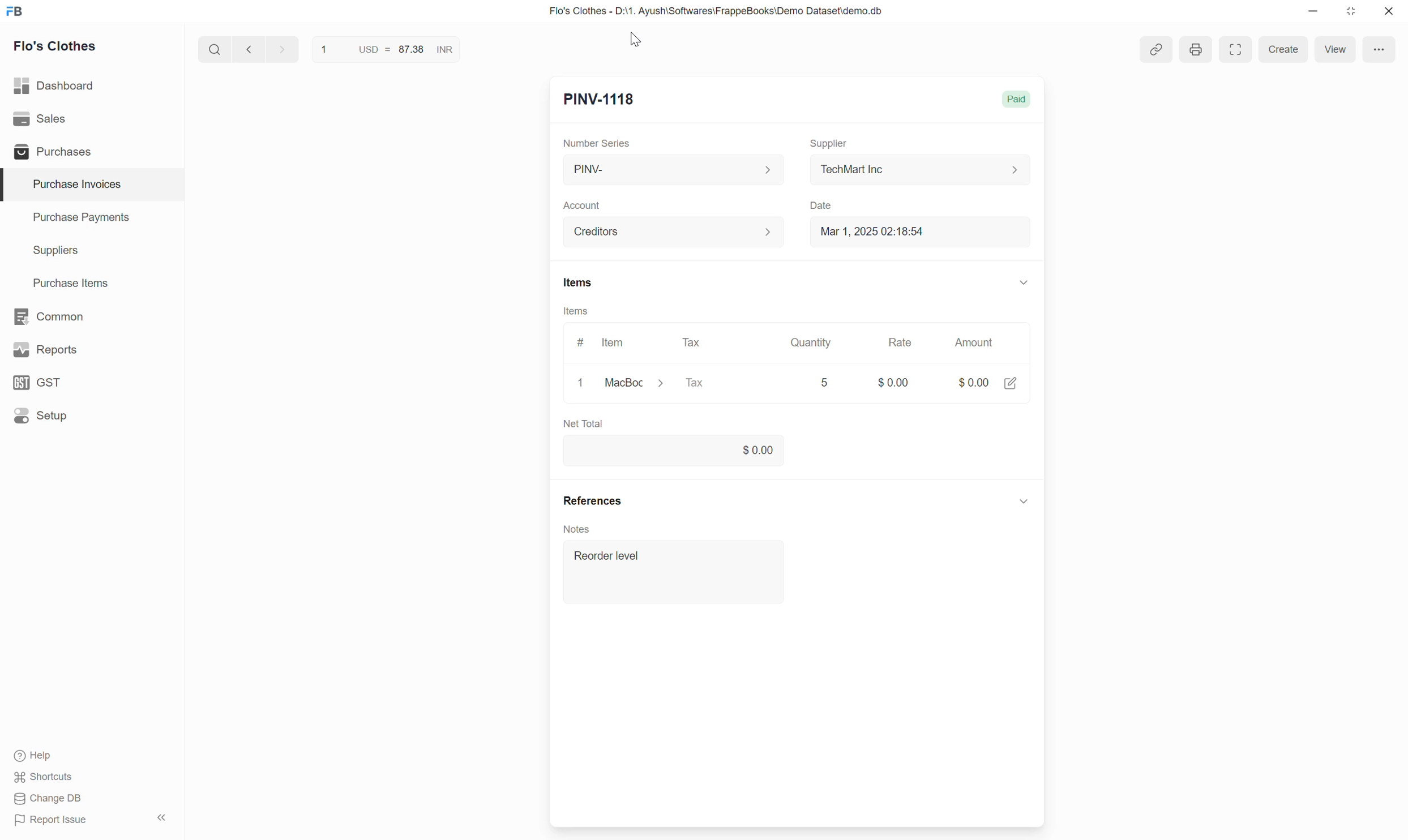 This screenshot has height=840, width=1408. What do you see at coordinates (1351, 11) in the screenshot?
I see `Change dimension` at bounding box center [1351, 11].